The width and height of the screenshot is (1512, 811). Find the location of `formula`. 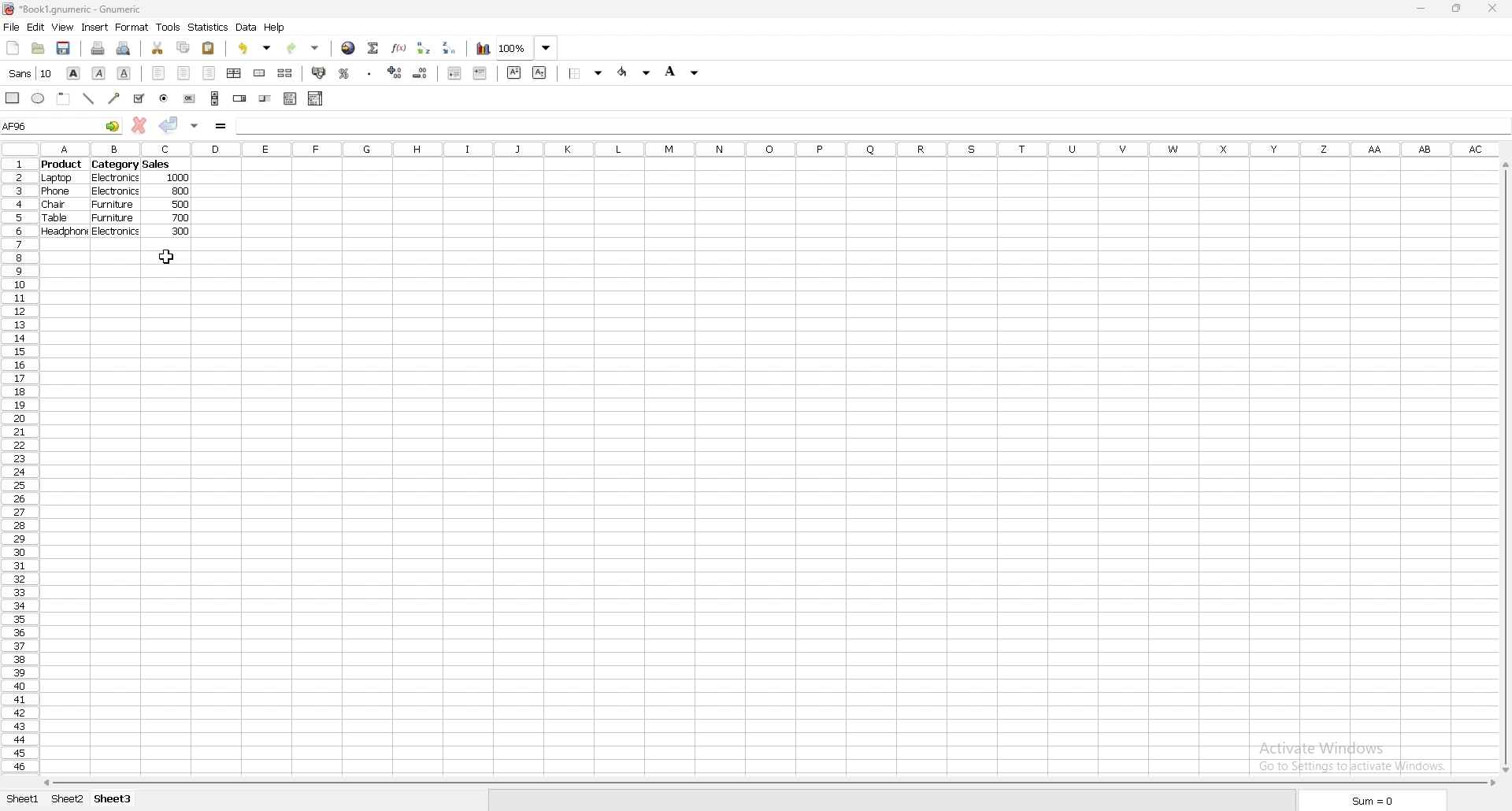

formula is located at coordinates (221, 125).